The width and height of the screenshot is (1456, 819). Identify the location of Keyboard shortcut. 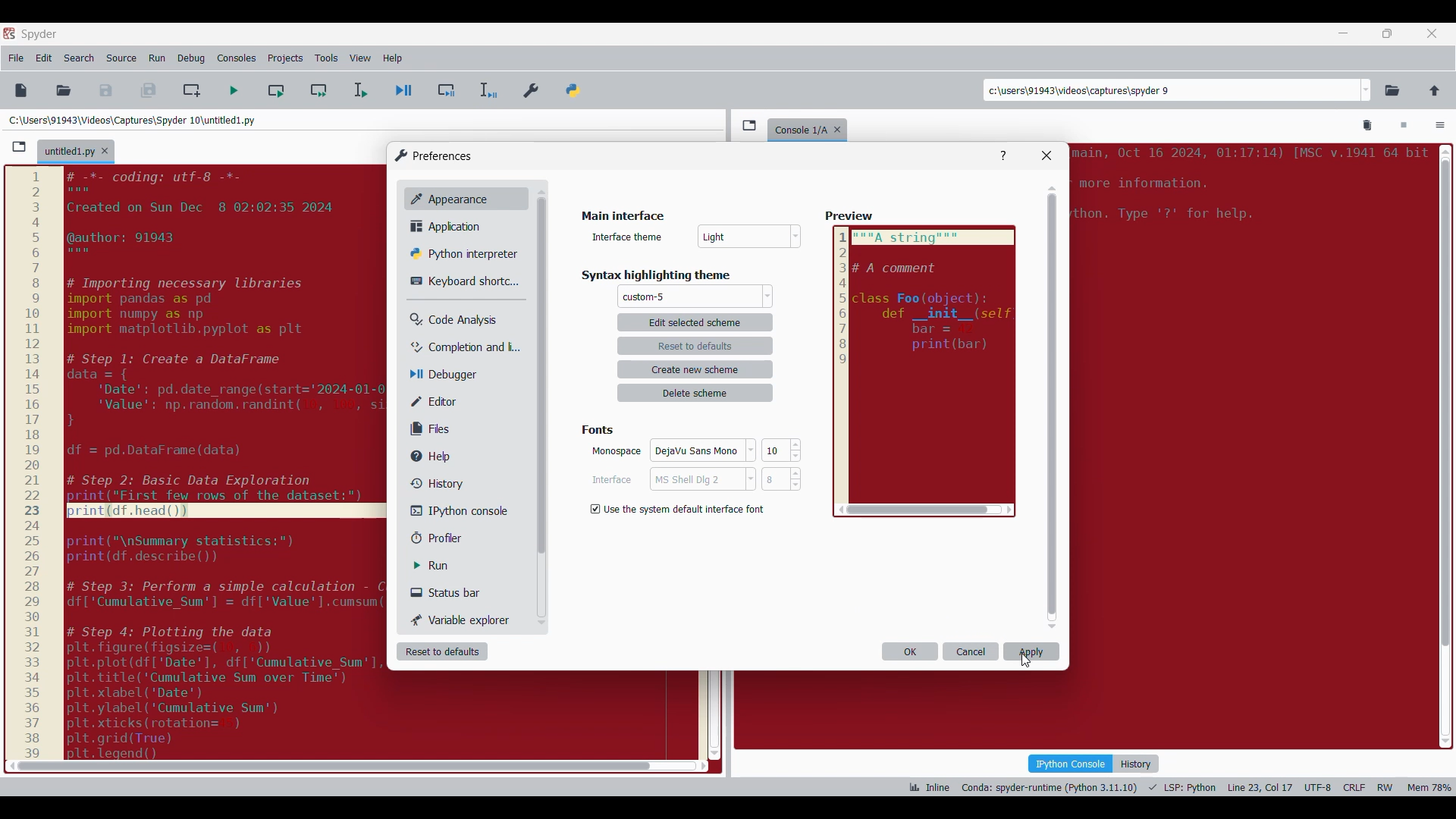
(459, 281).